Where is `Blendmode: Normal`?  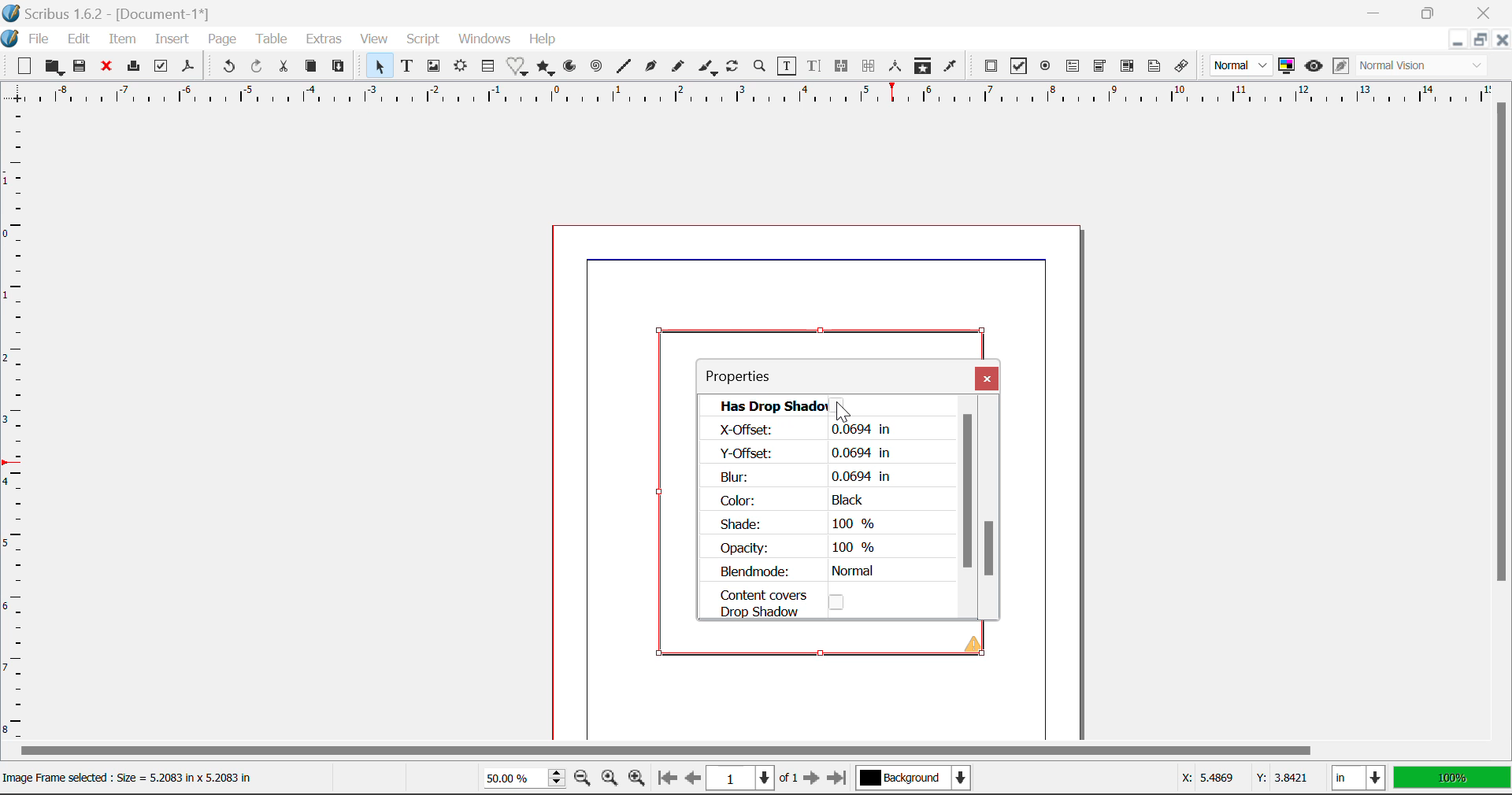 Blendmode: Normal is located at coordinates (803, 571).